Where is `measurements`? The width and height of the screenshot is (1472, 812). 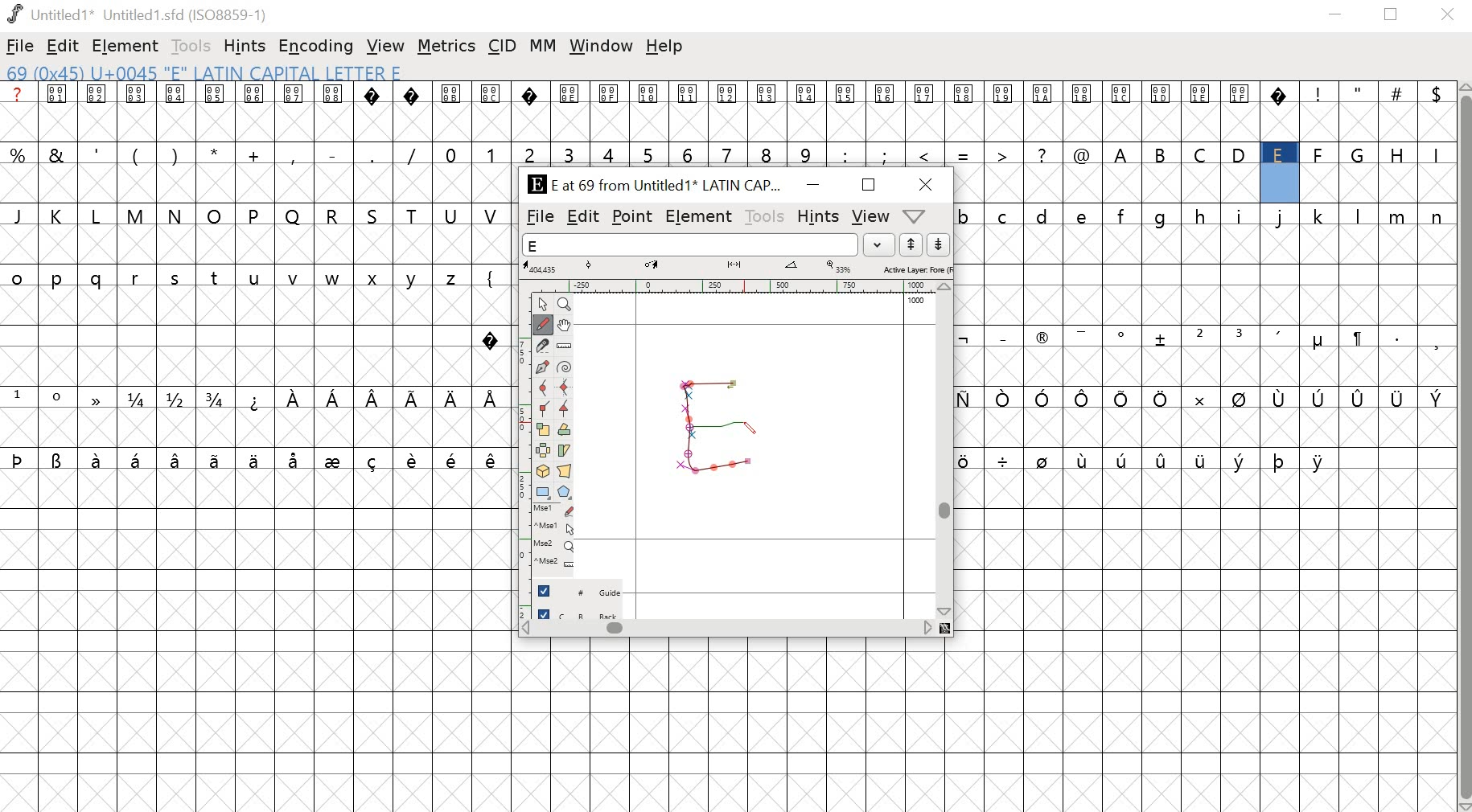 measurements is located at coordinates (737, 268).